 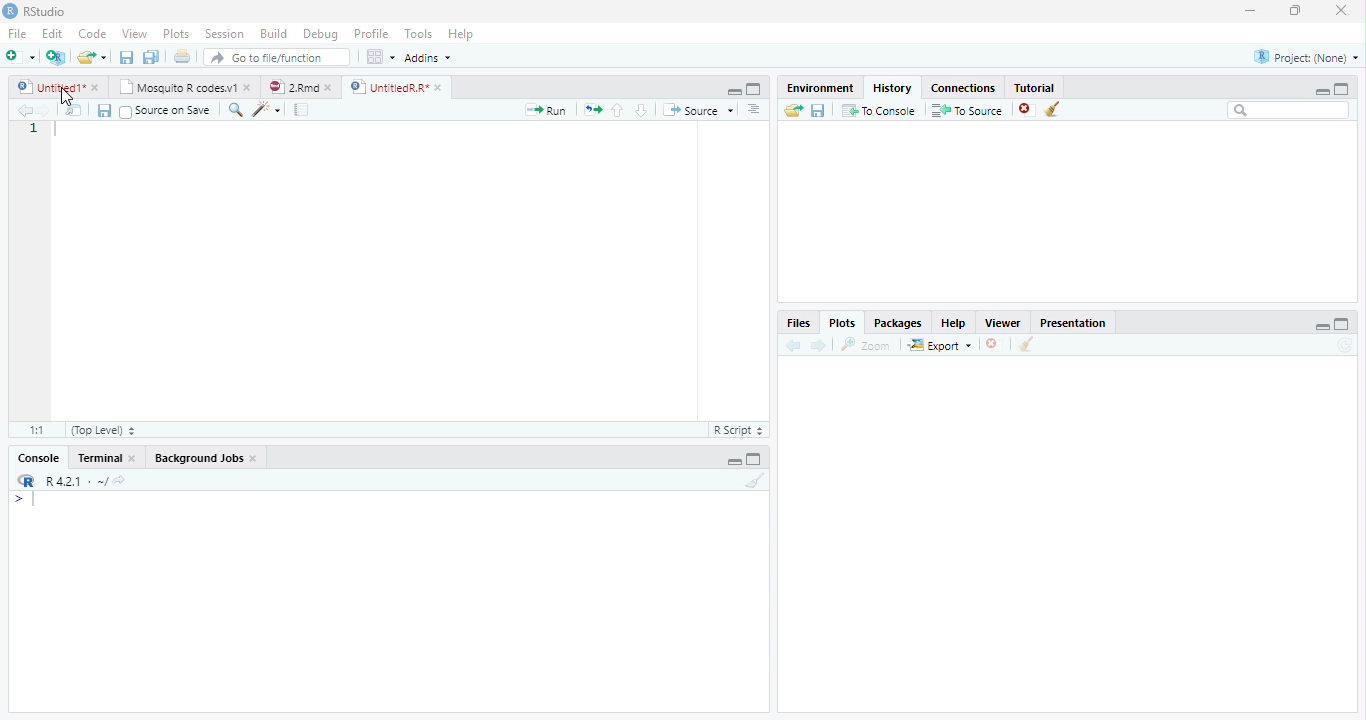 I want to click on Minimize, so click(x=1320, y=92).